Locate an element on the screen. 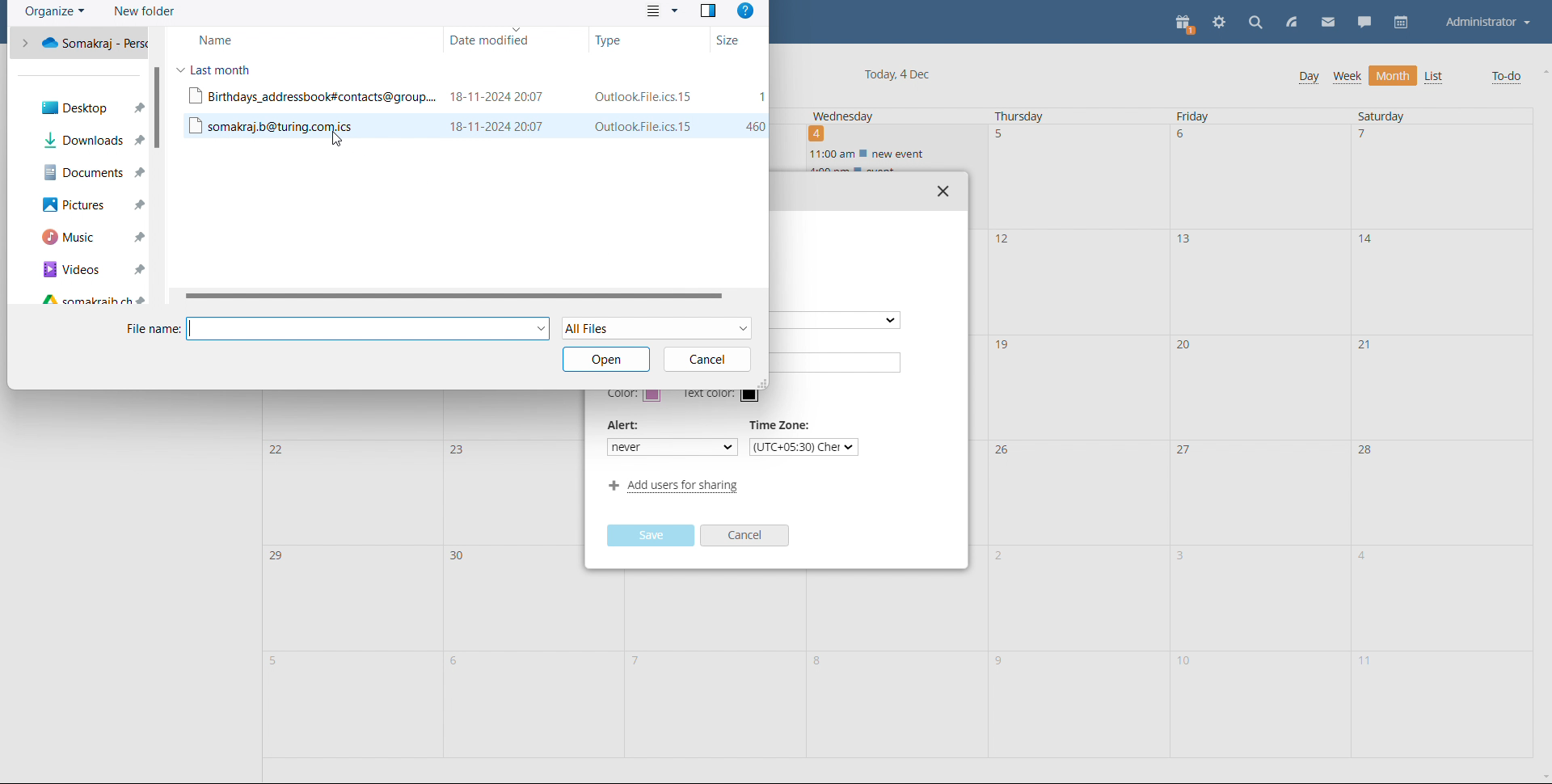 The height and width of the screenshot is (784, 1552). file 1 is located at coordinates (470, 99).